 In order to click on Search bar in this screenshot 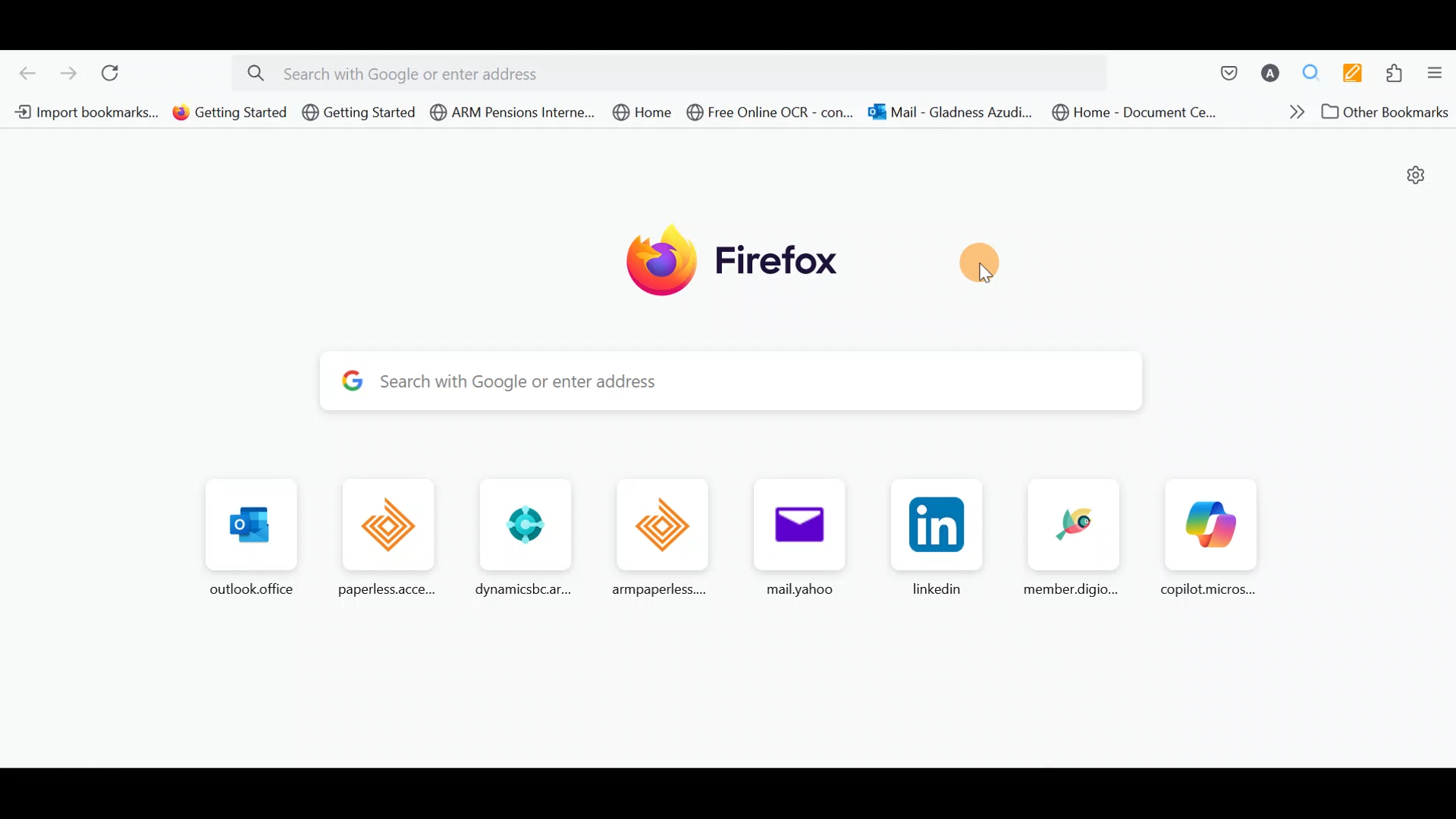, I will do `click(730, 375)`.